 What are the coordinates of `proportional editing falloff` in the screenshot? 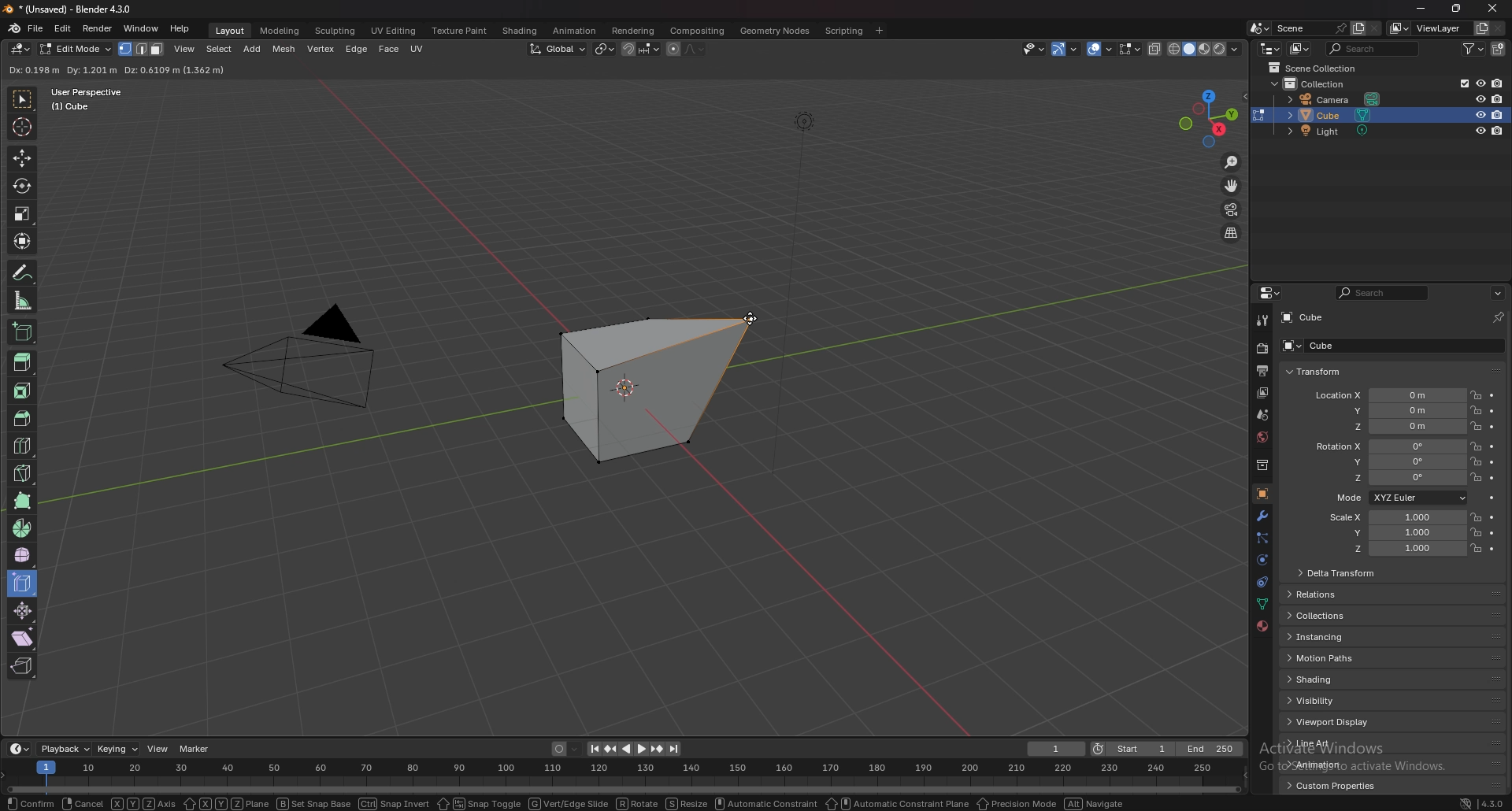 It's located at (695, 49).